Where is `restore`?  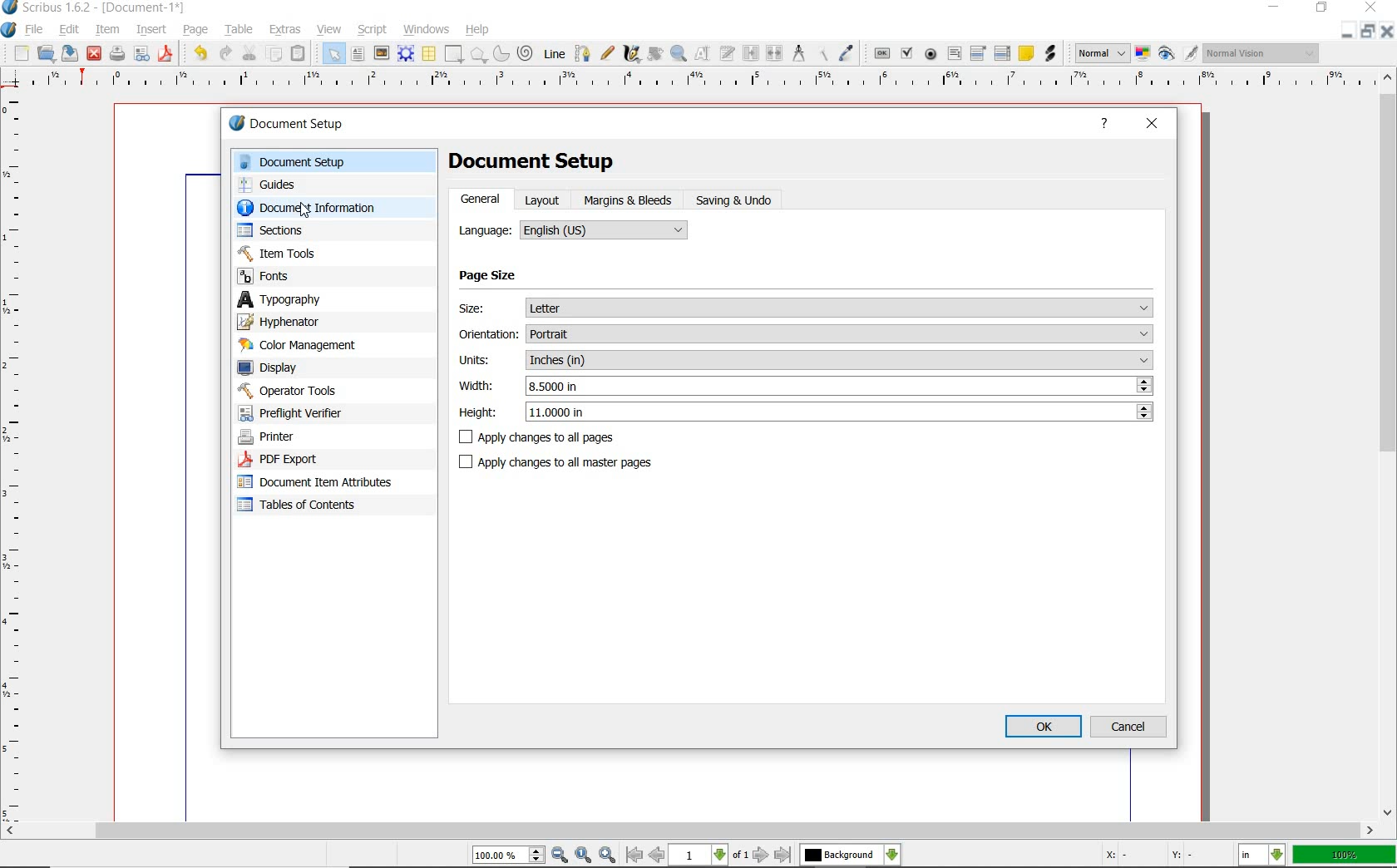 restore is located at coordinates (1365, 32).